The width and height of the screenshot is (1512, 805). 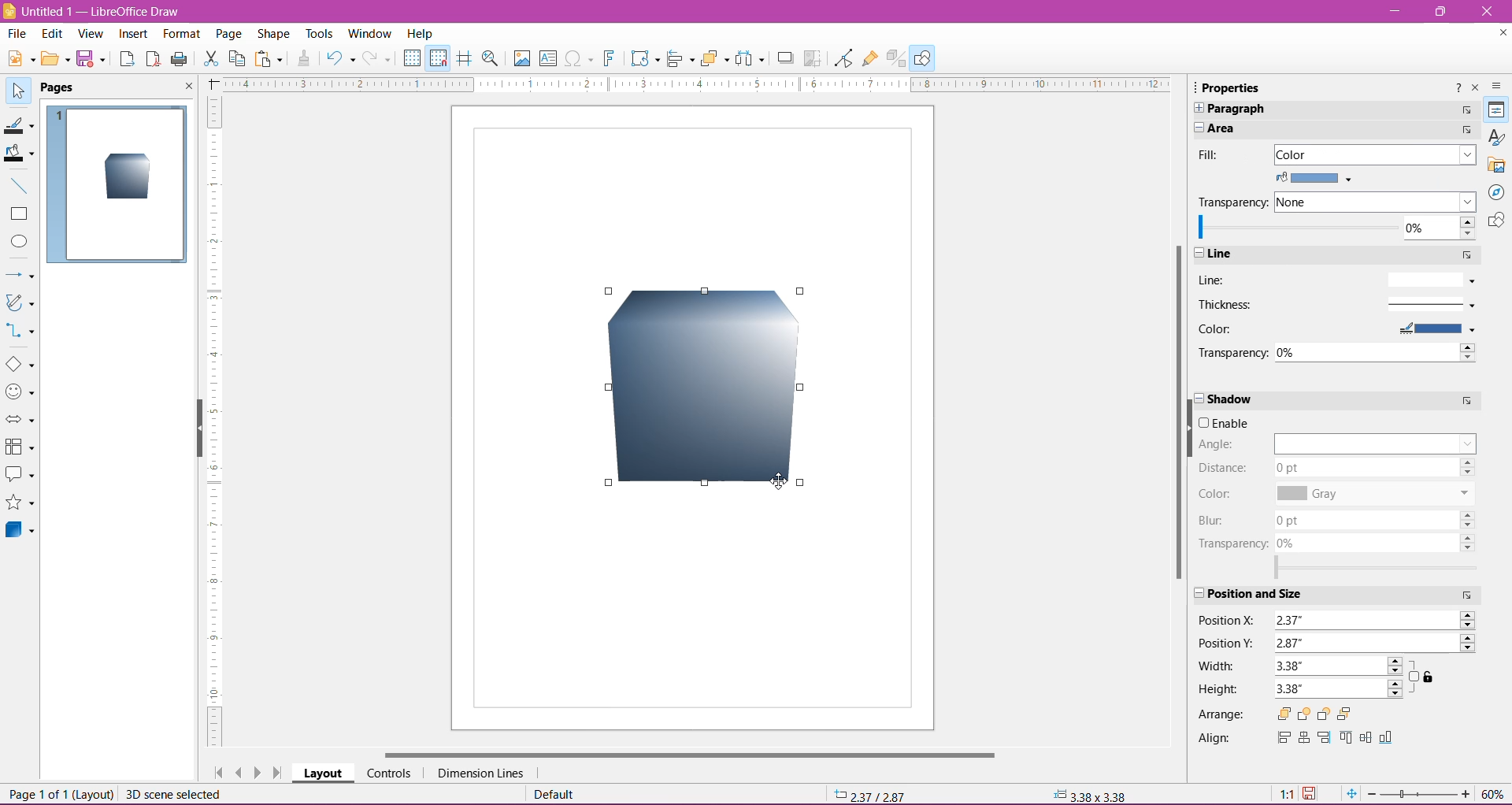 I want to click on Specify the transparency of the line, so click(x=1377, y=351).